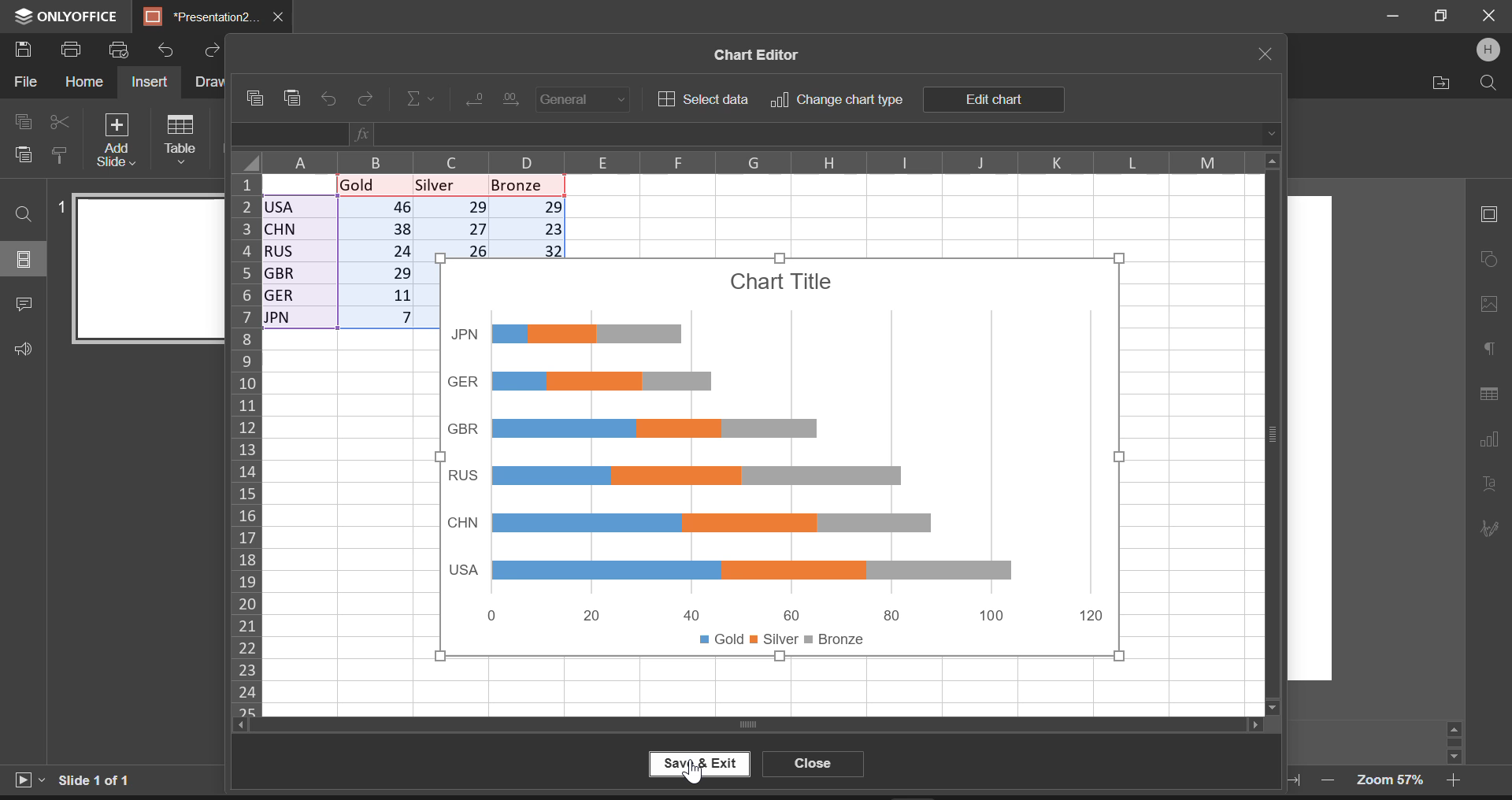 The width and height of the screenshot is (1512, 800). I want to click on User, so click(1488, 50).